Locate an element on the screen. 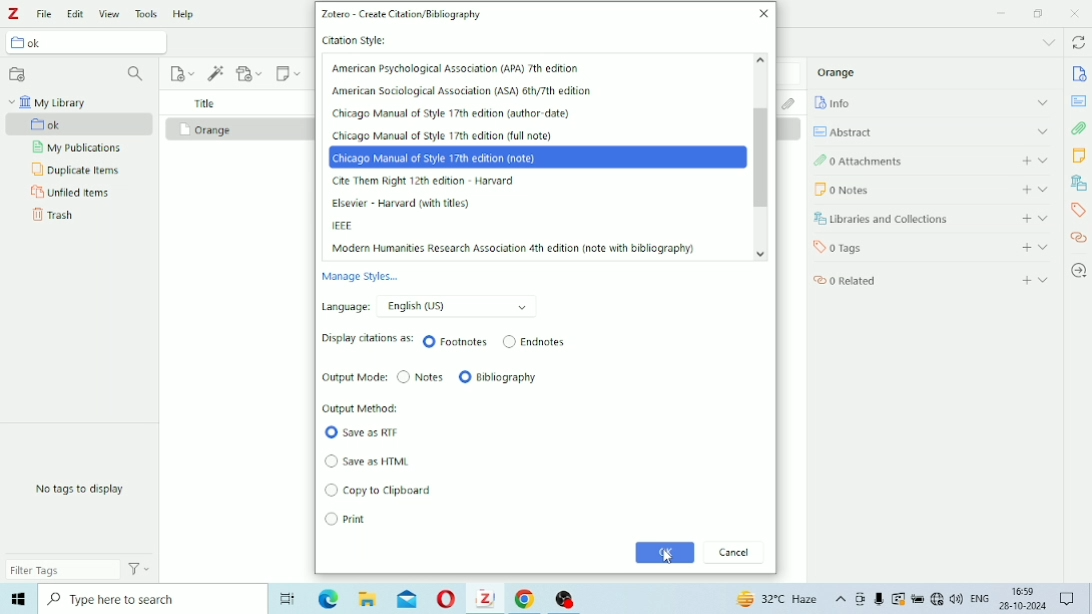 This screenshot has height=614, width=1092. Speakers is located at coordinates (957, 599).